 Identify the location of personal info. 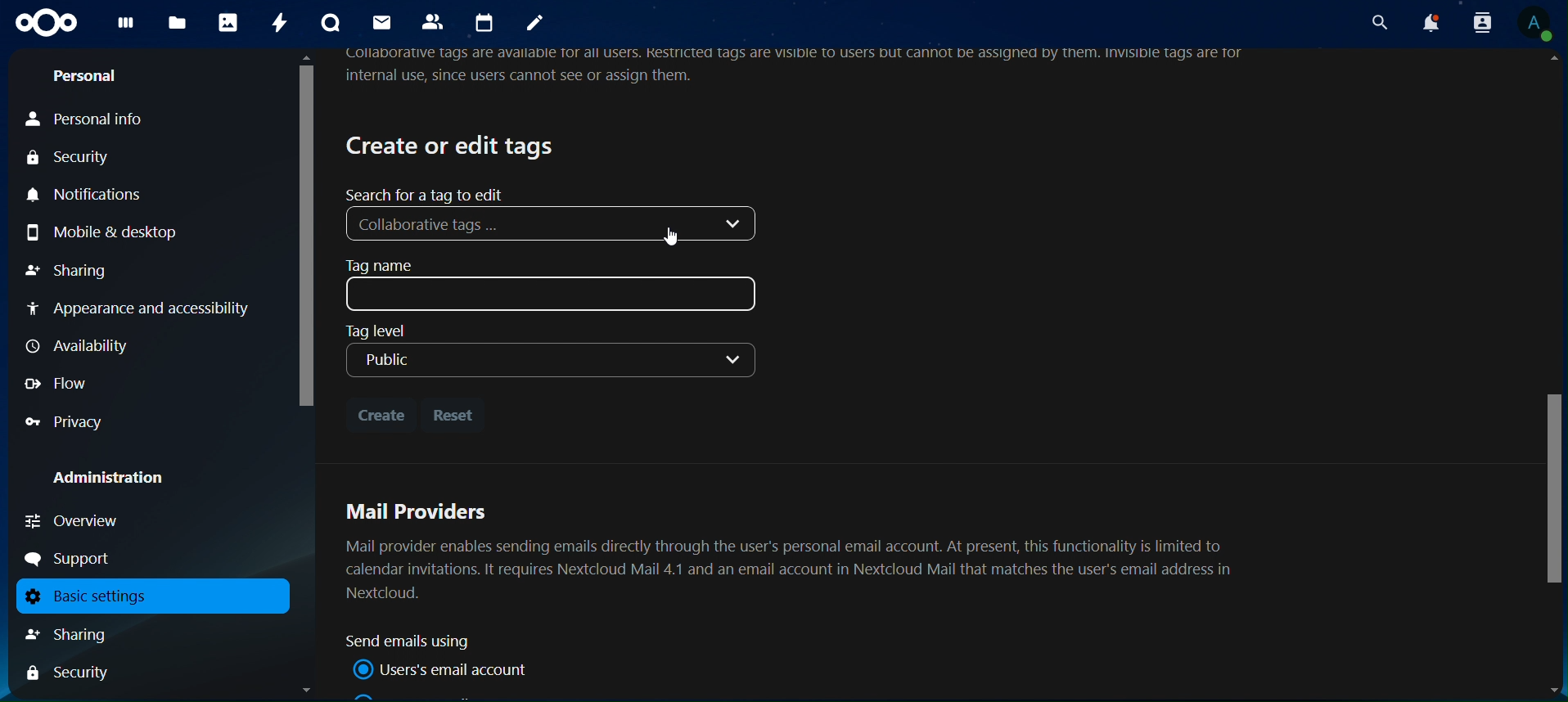
(107, 120).